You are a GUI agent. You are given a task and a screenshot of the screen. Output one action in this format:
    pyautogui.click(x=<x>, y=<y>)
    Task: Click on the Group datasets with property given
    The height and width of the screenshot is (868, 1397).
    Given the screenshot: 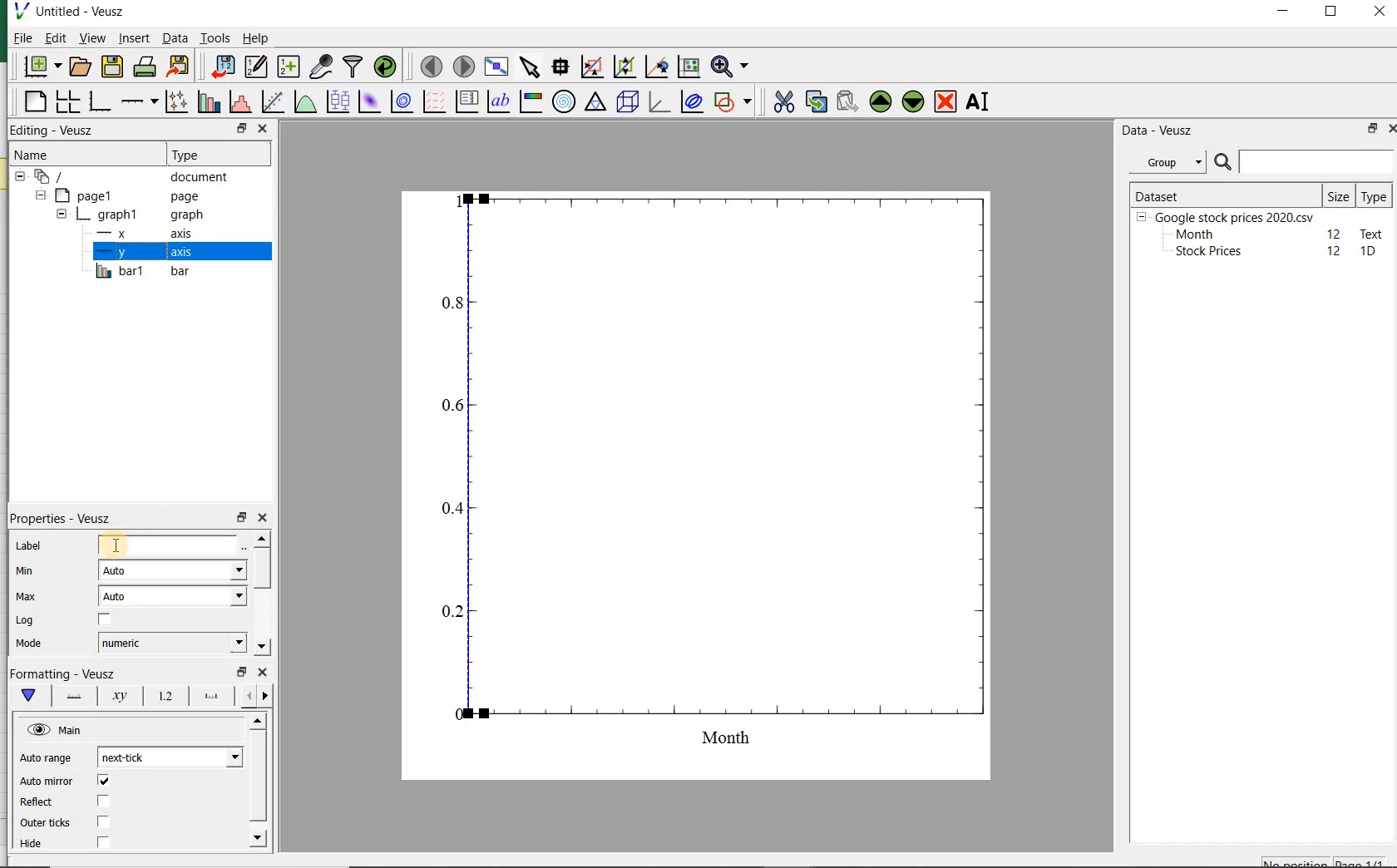 What is the action you would take?
    pyautogui.click(x=1163, y=162)
    